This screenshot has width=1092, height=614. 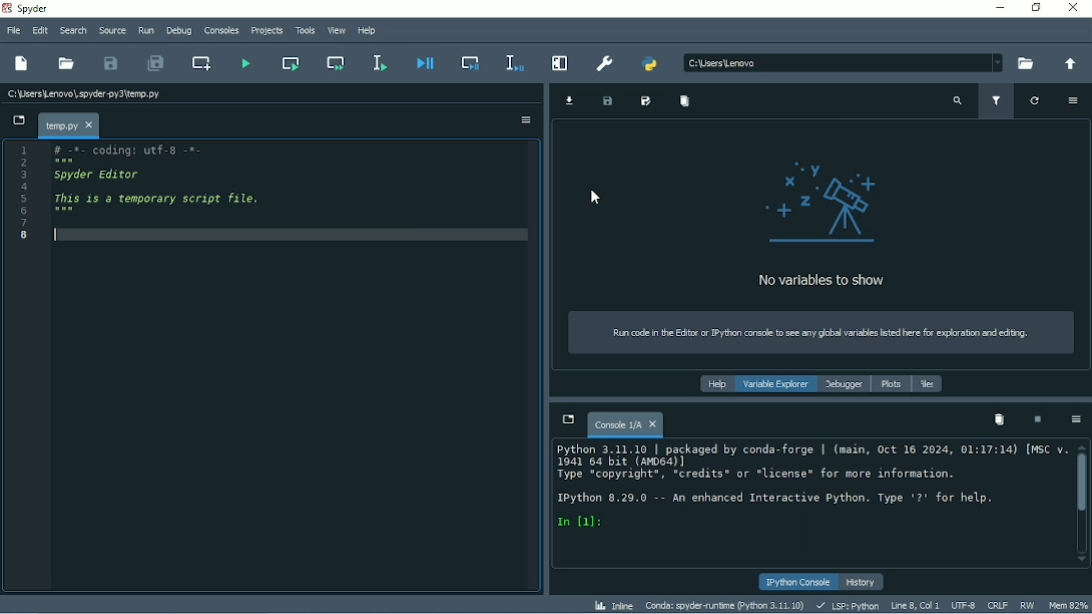 What do you see at coordinates (424, 63) in the screenshot?
I see `Debug file` at bounding box center [424, 63].